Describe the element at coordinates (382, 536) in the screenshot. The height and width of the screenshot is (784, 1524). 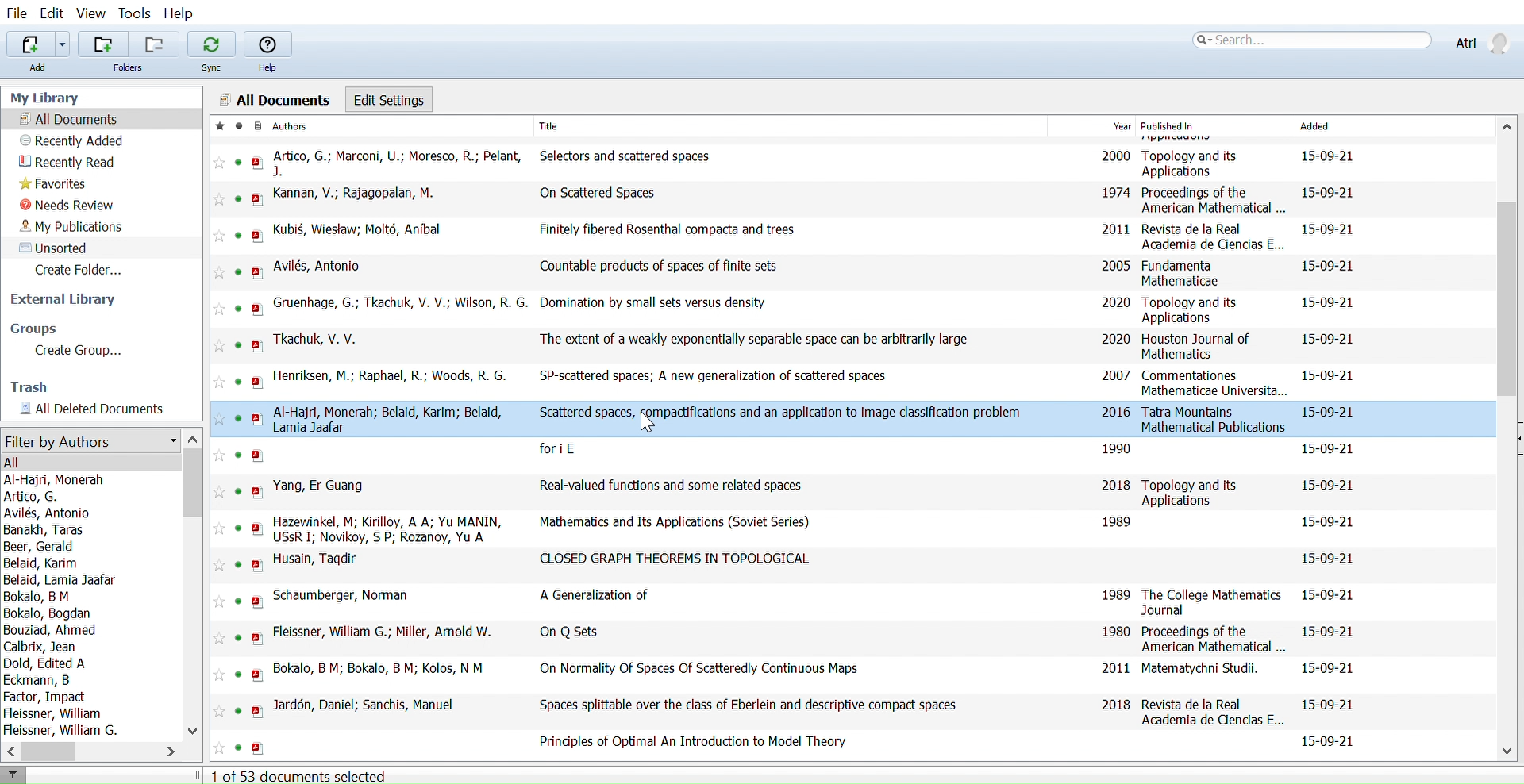
I see `USsR I; Novikov, S P; Rozanoy, Yu A` at that location.